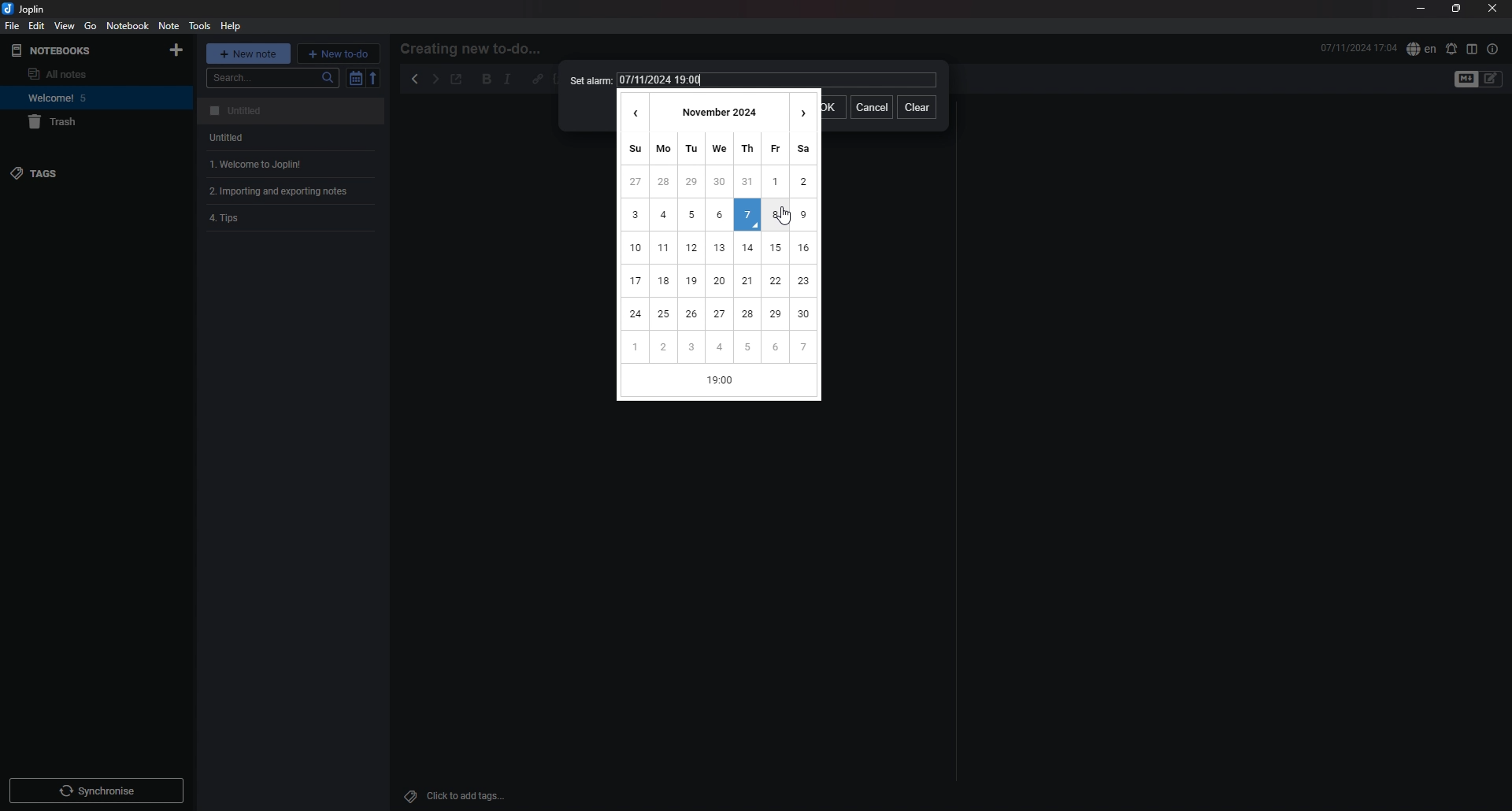  Describe the element at coordinates (374, 78) in the screenshot. I see `reverse sort order` at that location.